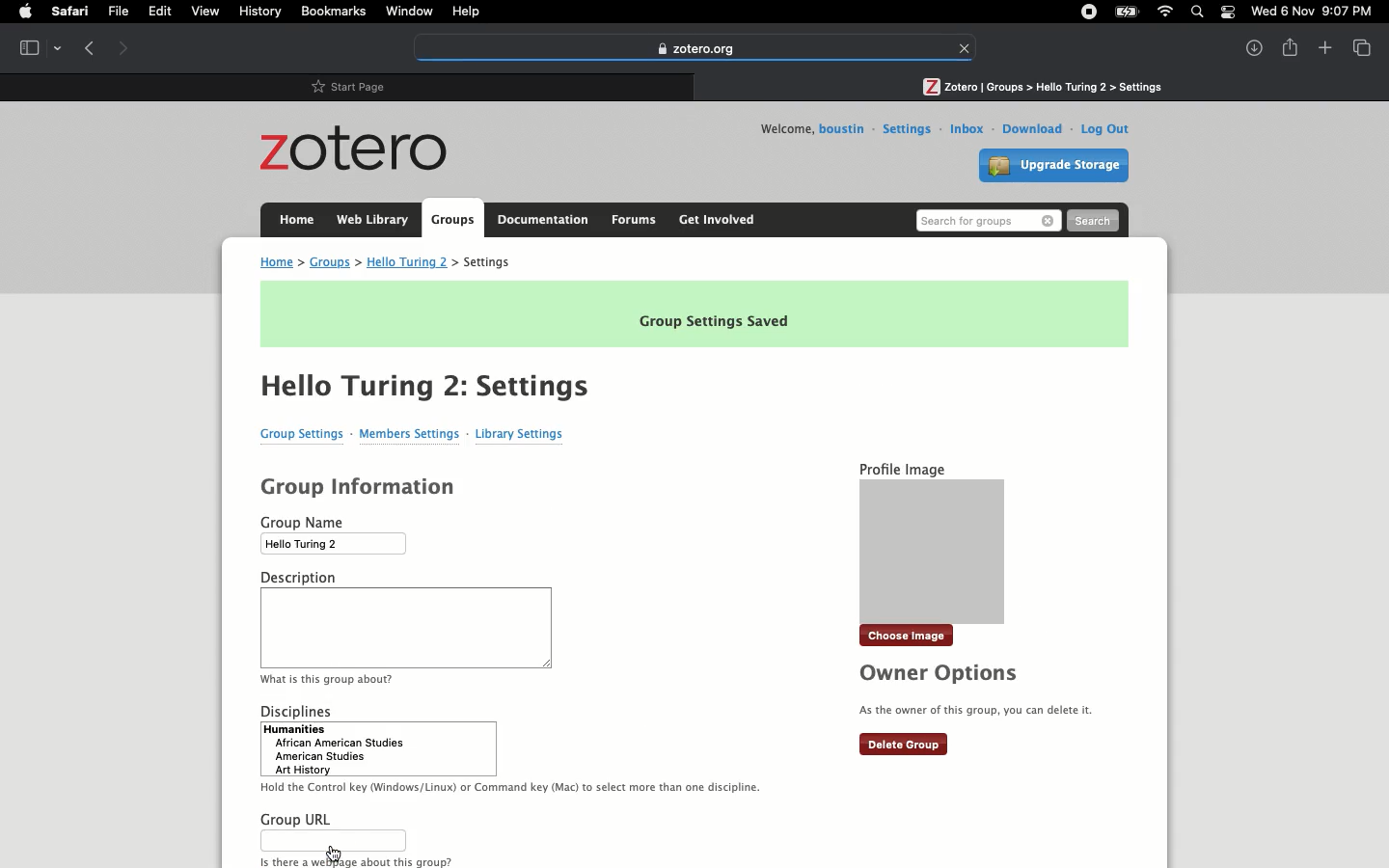 The width and height of the screenshot is (1389, 868). What do you see at coordinates (24, 13) in the screenshot?
I see `Apple logo` at bounding box center [24, 13].